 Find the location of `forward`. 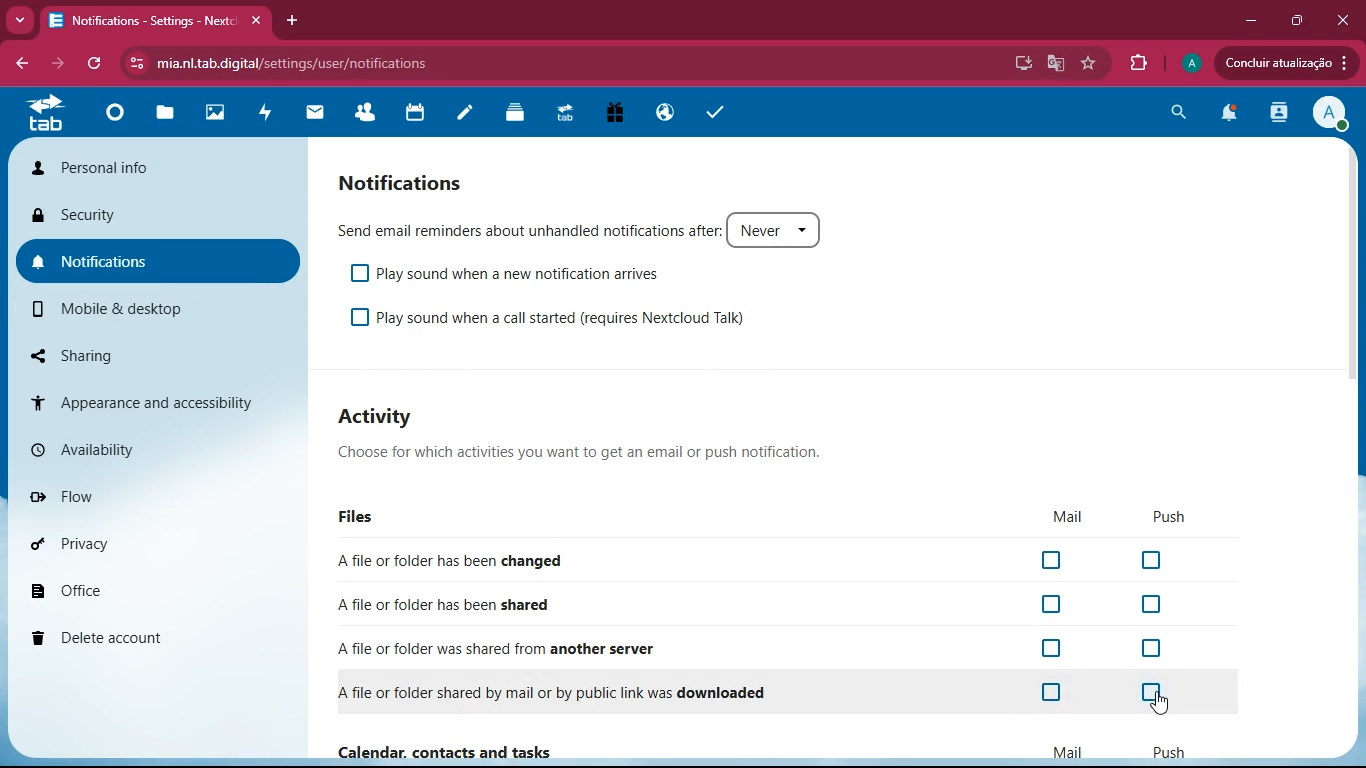

forward is located at coordinates (61, 65).